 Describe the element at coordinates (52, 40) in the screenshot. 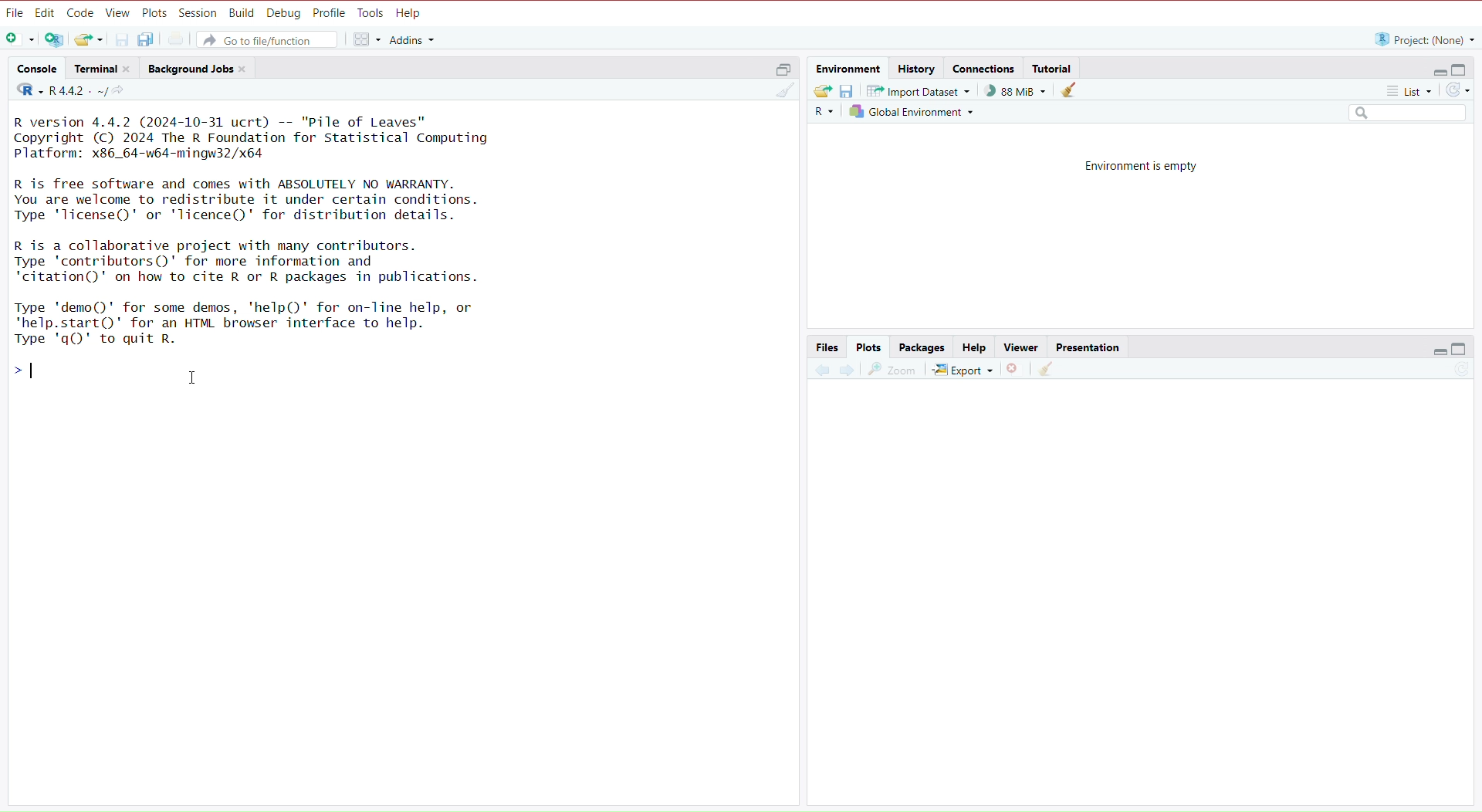

I see `Open new project` at that location.